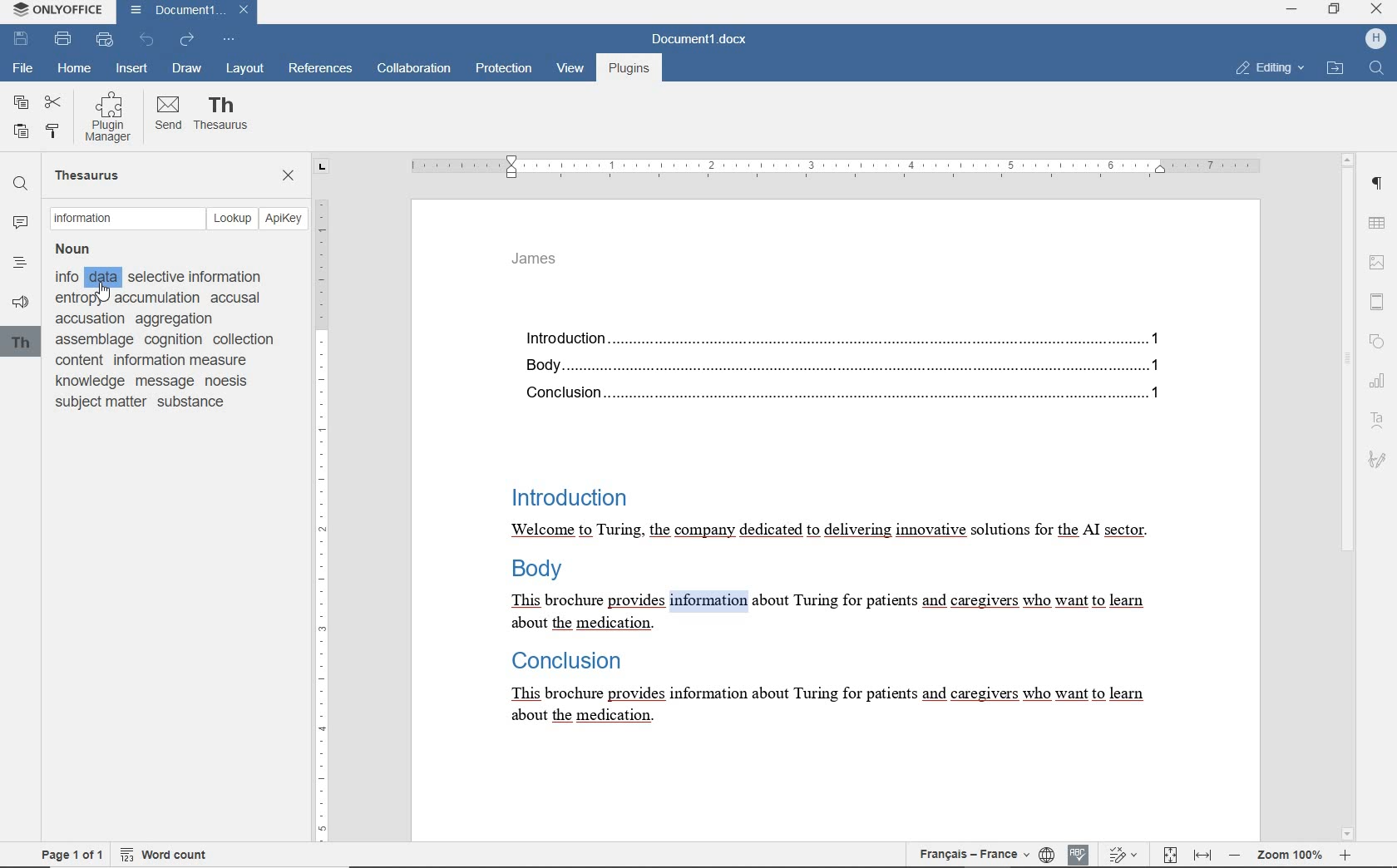 This screenshot has width=1397, height=868. I want to click on SPELL CHECKING, so click(1080, 853).